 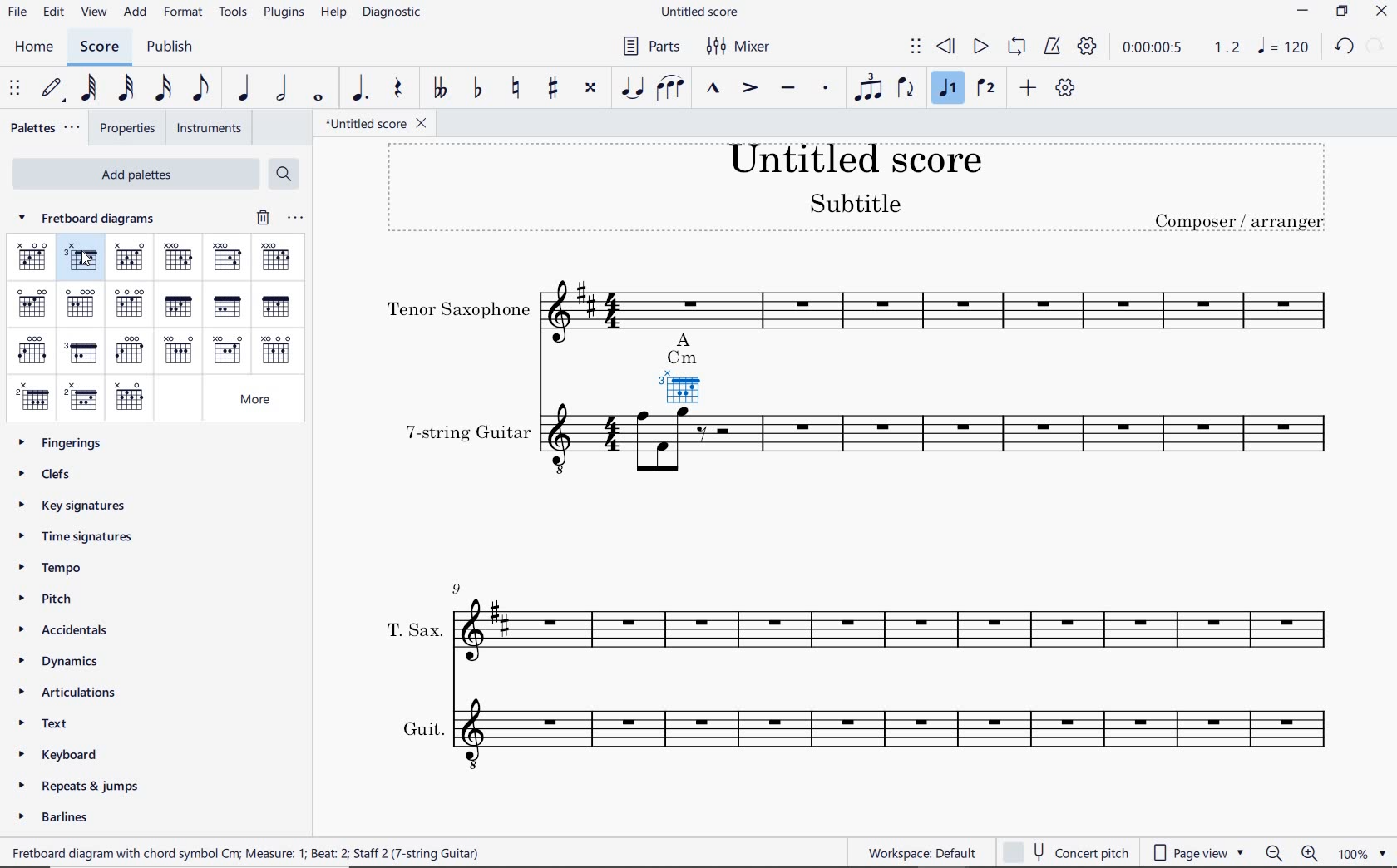 What do you see at coordinates (201, 89) in the screenshot?
I see `EIGHTH NOTE` at bounding box center [201, 89].